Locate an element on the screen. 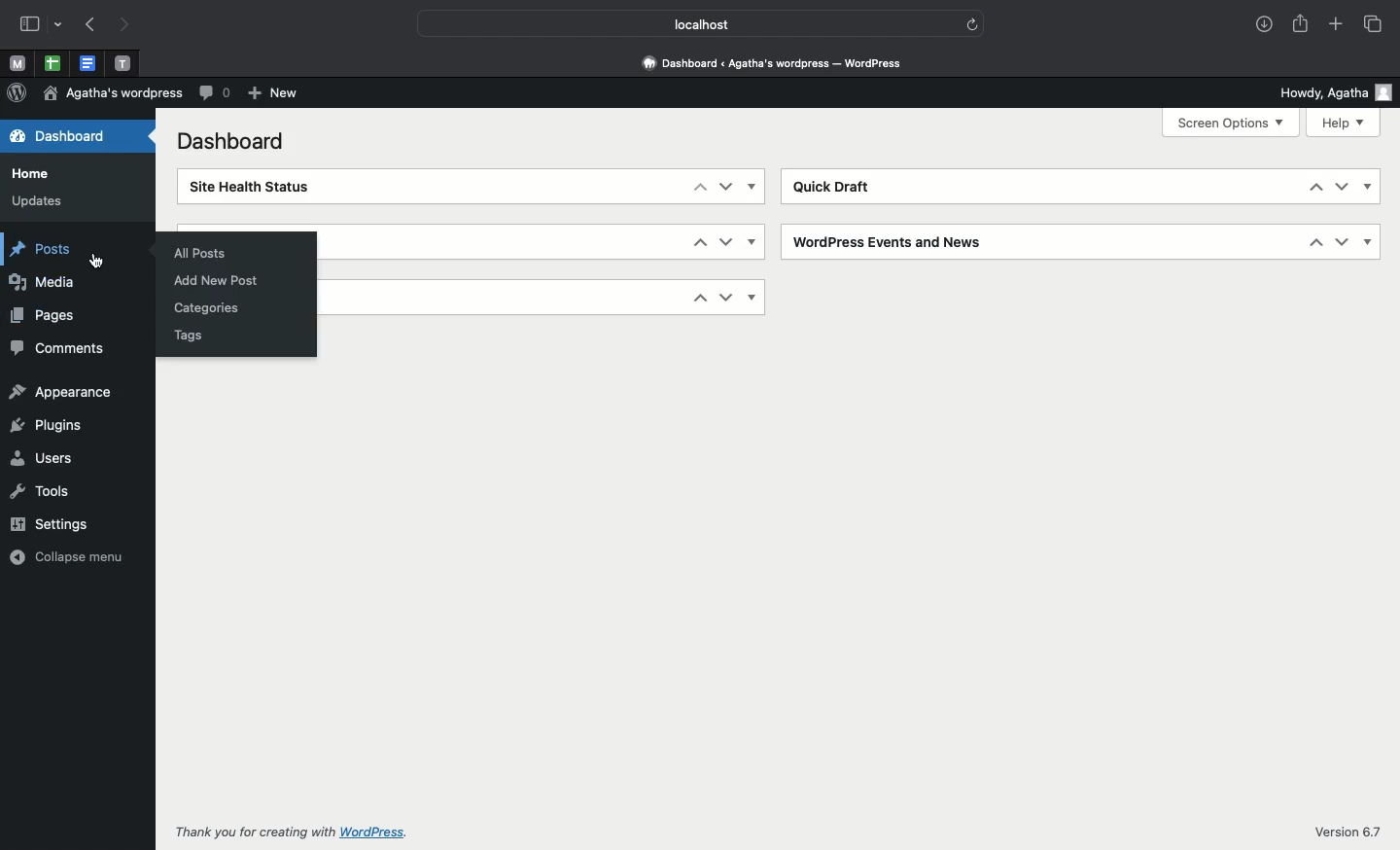  down is located at coordinates (1341, 188).